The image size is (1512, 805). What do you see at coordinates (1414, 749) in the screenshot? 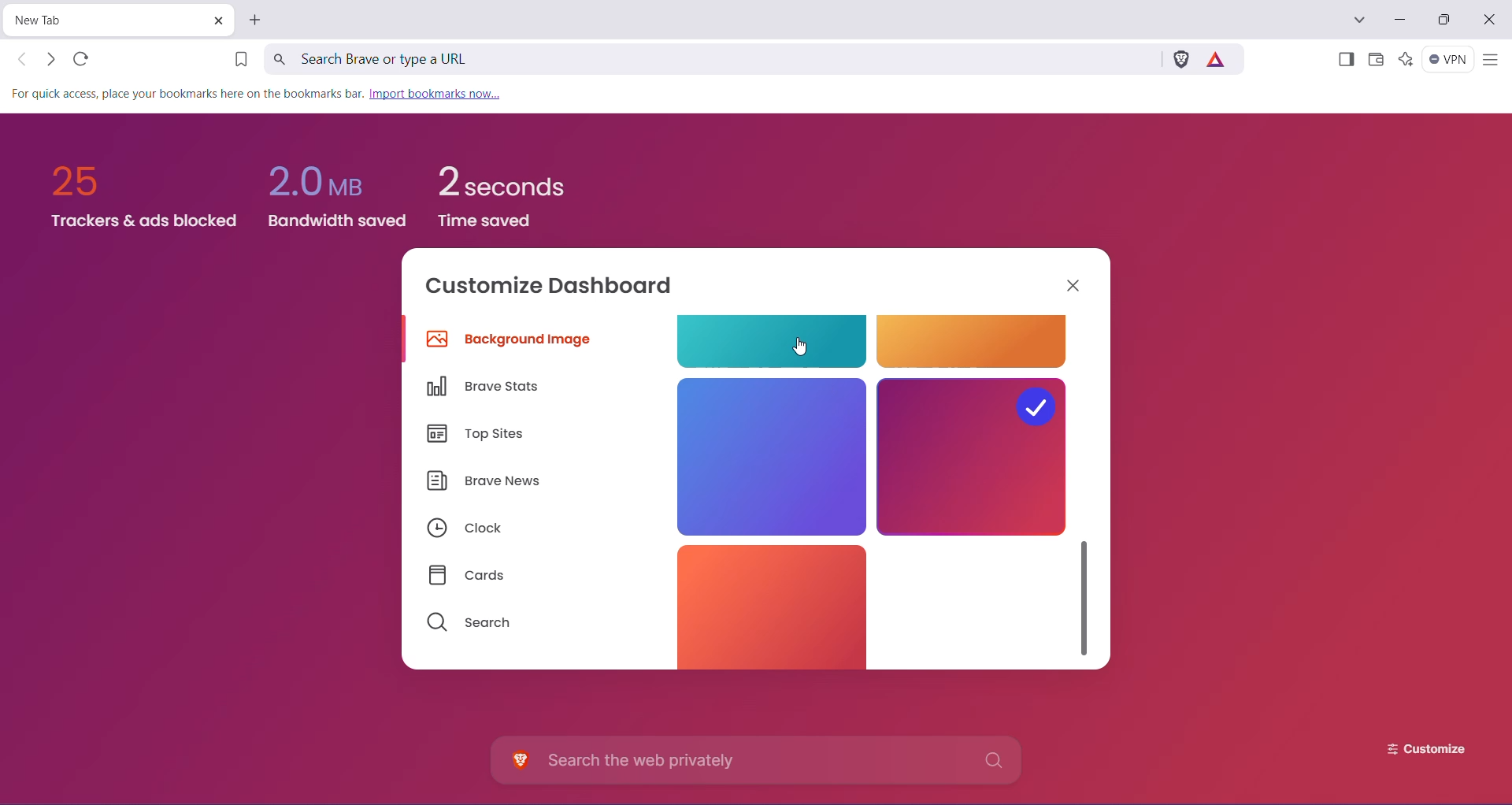
I see `Customize` at bounding box center [1414, 749].